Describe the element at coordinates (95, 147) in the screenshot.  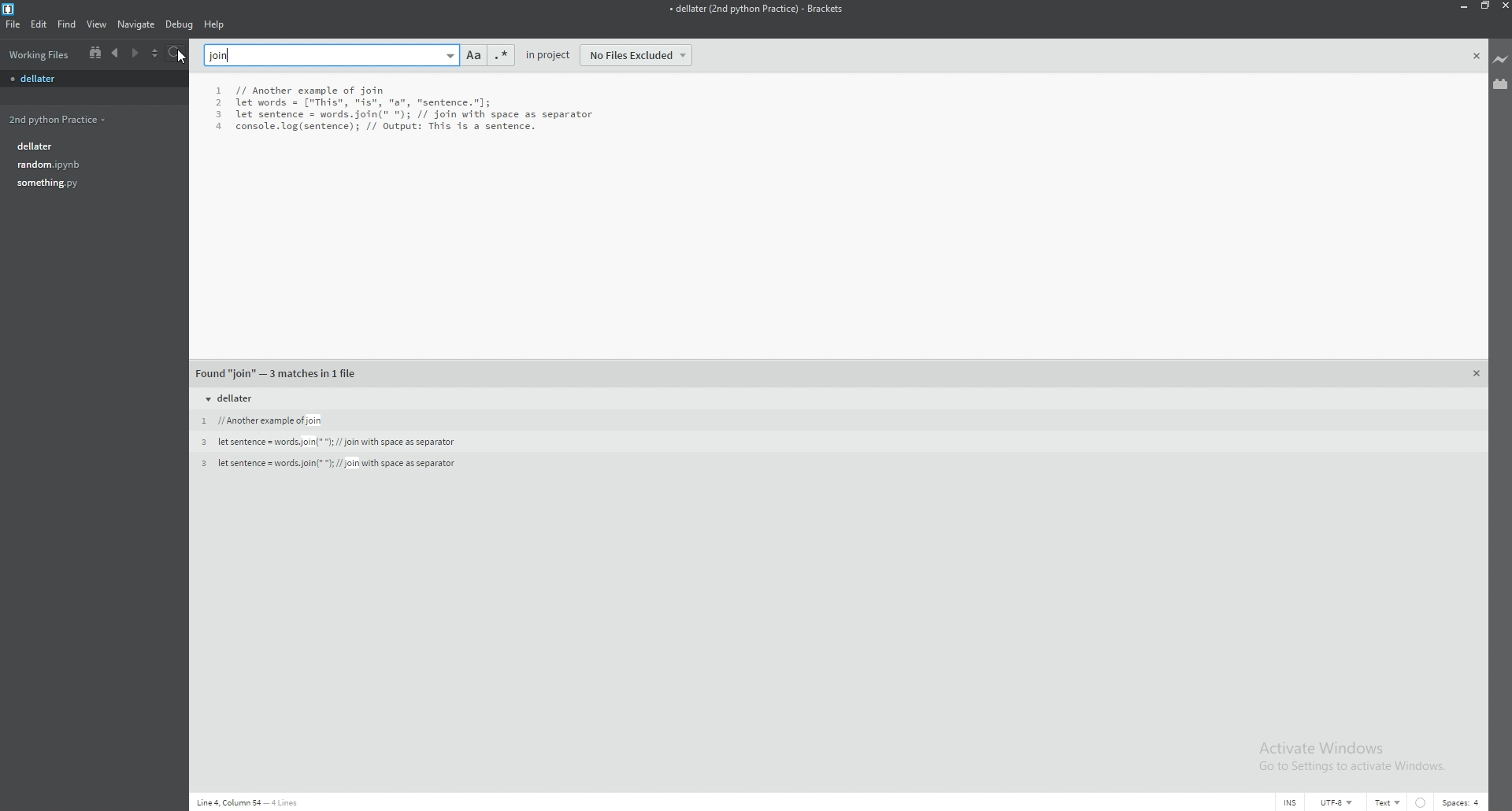
I see `dellater` at that location.